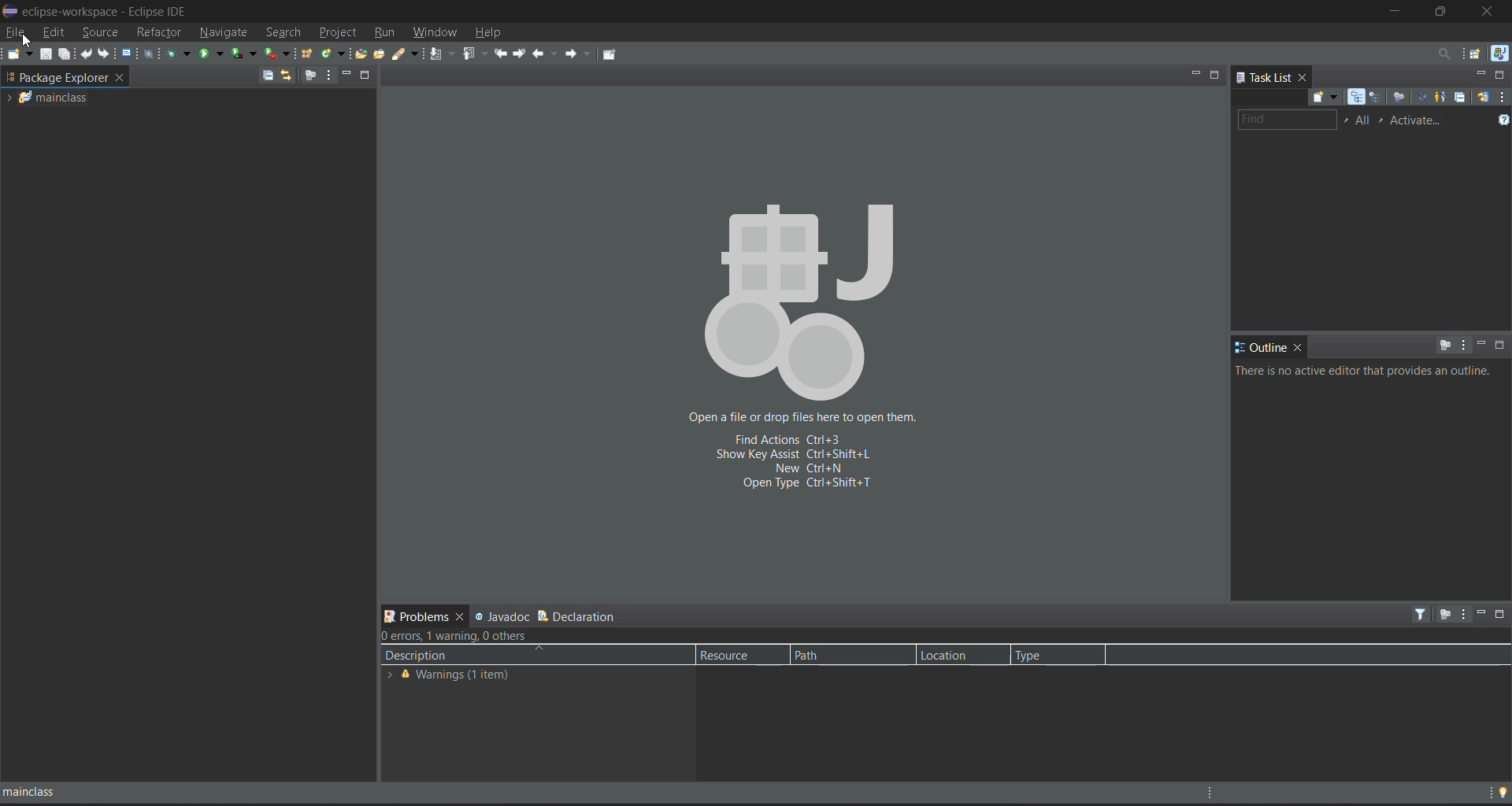 The image size is (1512, 806). What do you see at coordinates (1503, 615) in the screenshot?
I see `maximize` at bounding box center [1503, 615].